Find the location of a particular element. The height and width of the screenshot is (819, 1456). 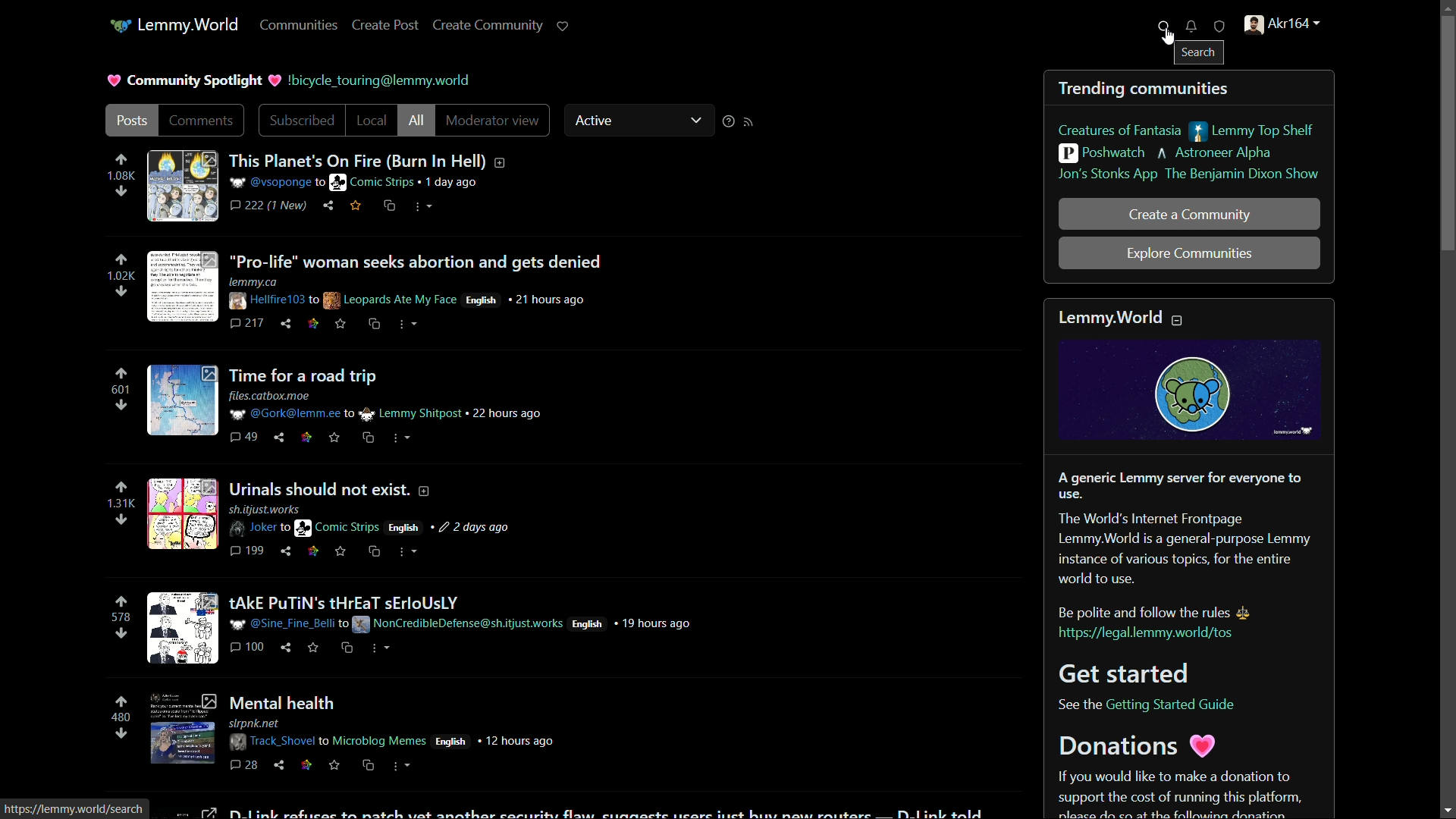

search pop up is located at coordinates (1202, 52).